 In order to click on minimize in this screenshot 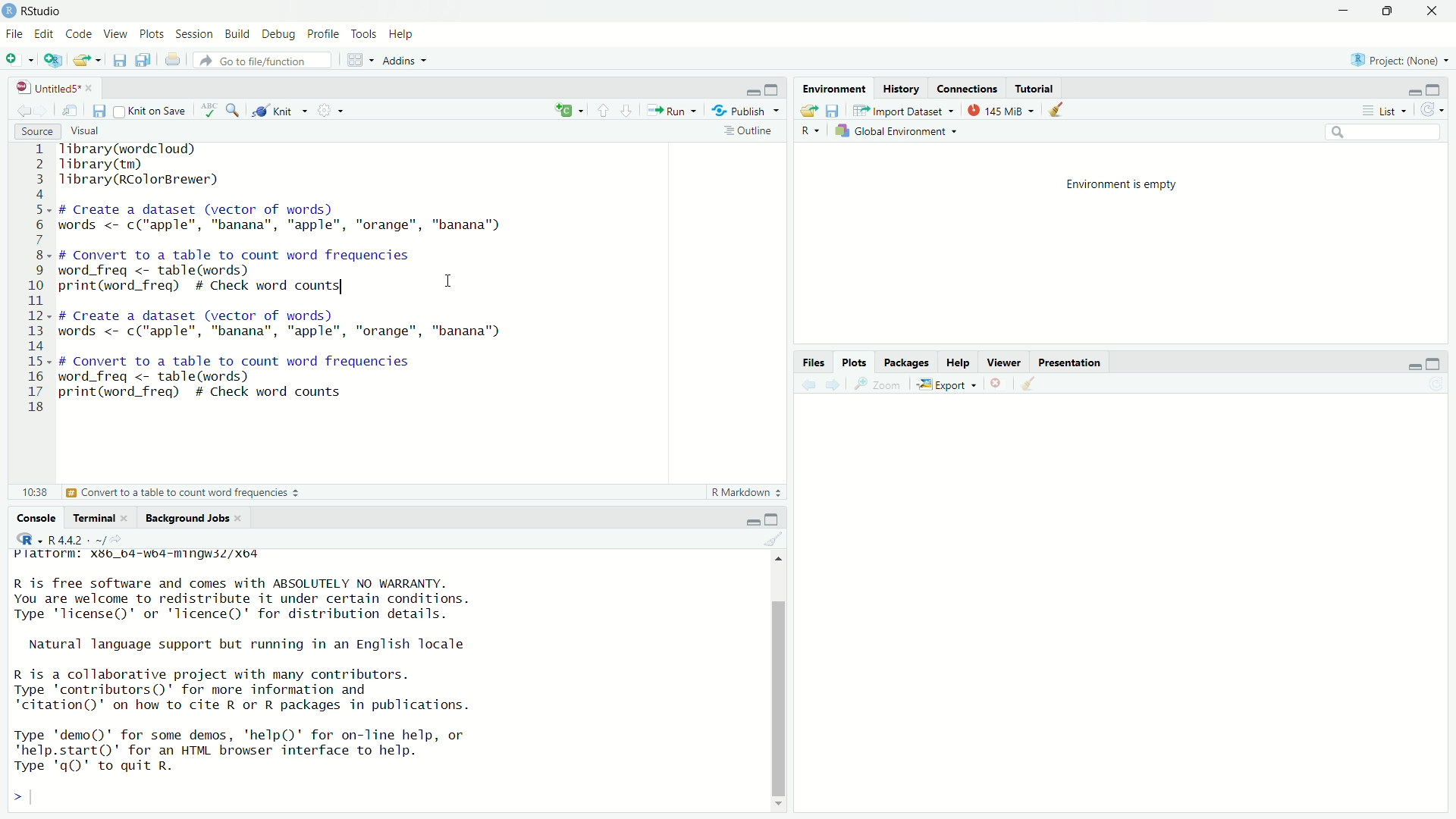, I will do `click(753, 92)`.